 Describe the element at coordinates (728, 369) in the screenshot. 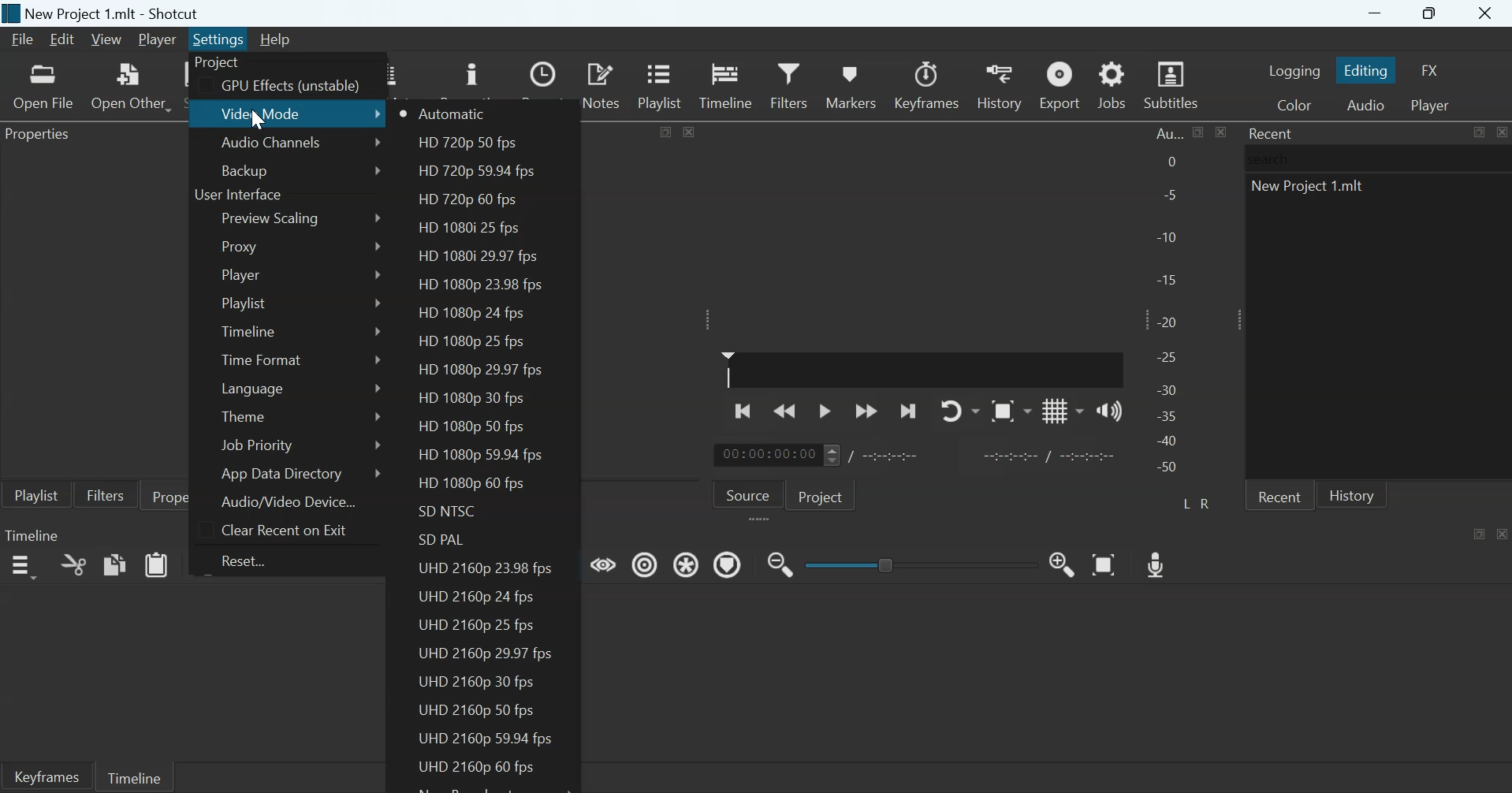

I see `Playhead` at that location.